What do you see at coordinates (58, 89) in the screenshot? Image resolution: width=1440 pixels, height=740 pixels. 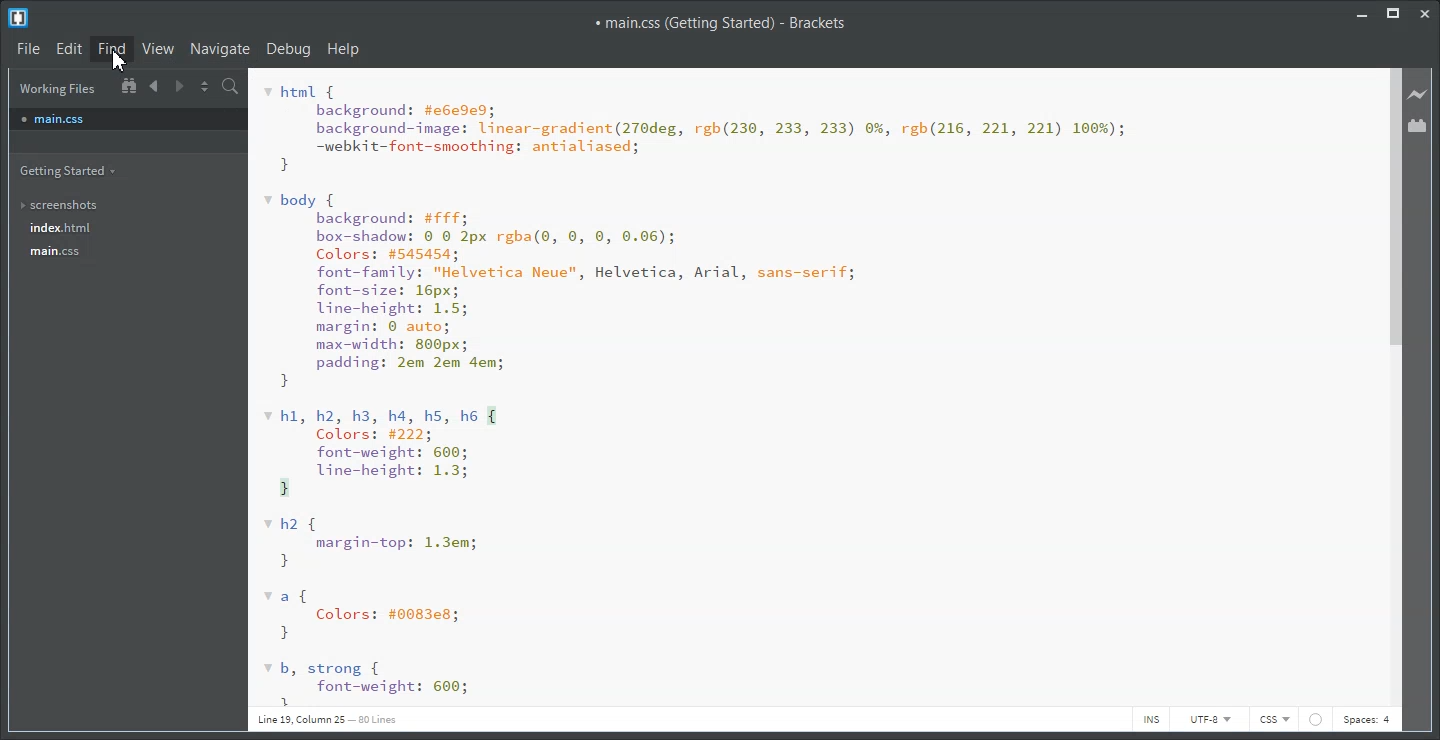 I see `Working Files` at bounding box center [58, 89].